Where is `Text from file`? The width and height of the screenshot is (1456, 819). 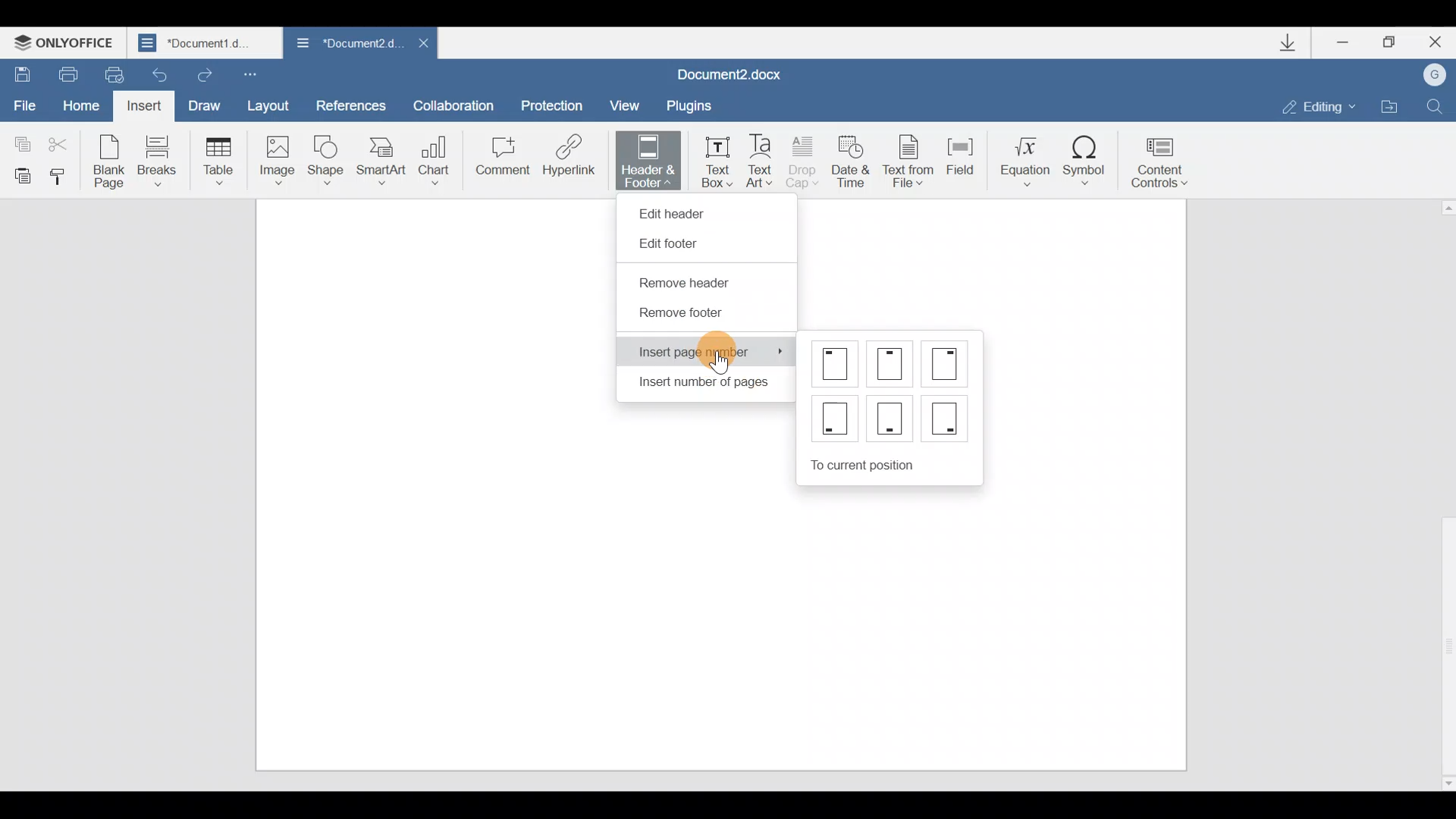
Text from file is located at coordinates (904, 158).